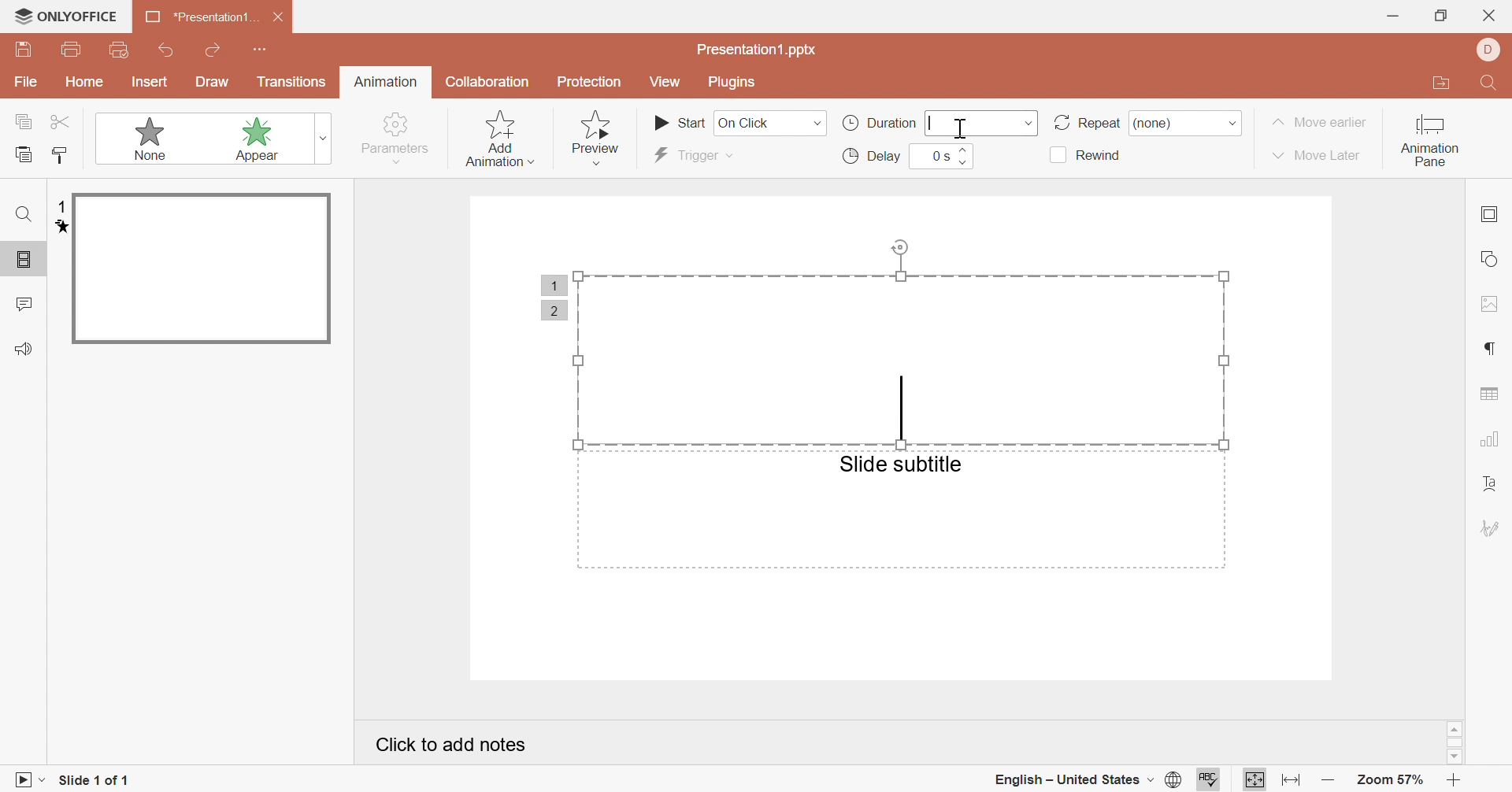 The height and width of the screenshot is (792, 1512). Describe the element at coordinates (24, 783) in the screenshot. I see `start slideshow` at that location.